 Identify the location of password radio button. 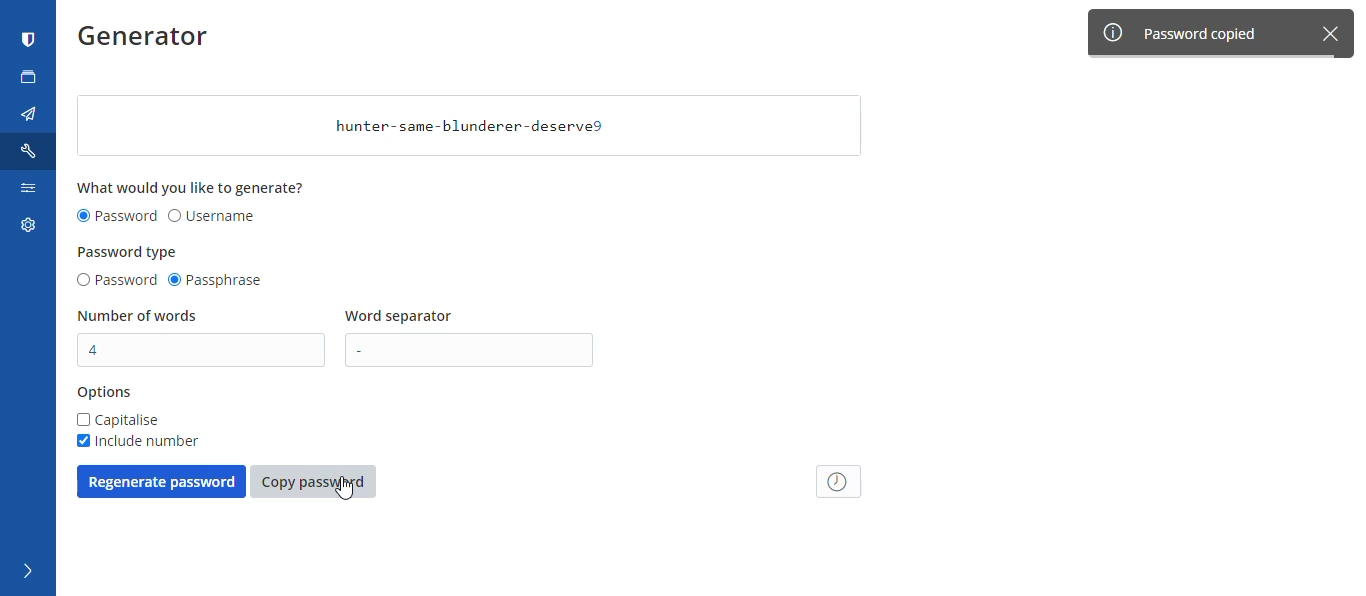
(115, 281).